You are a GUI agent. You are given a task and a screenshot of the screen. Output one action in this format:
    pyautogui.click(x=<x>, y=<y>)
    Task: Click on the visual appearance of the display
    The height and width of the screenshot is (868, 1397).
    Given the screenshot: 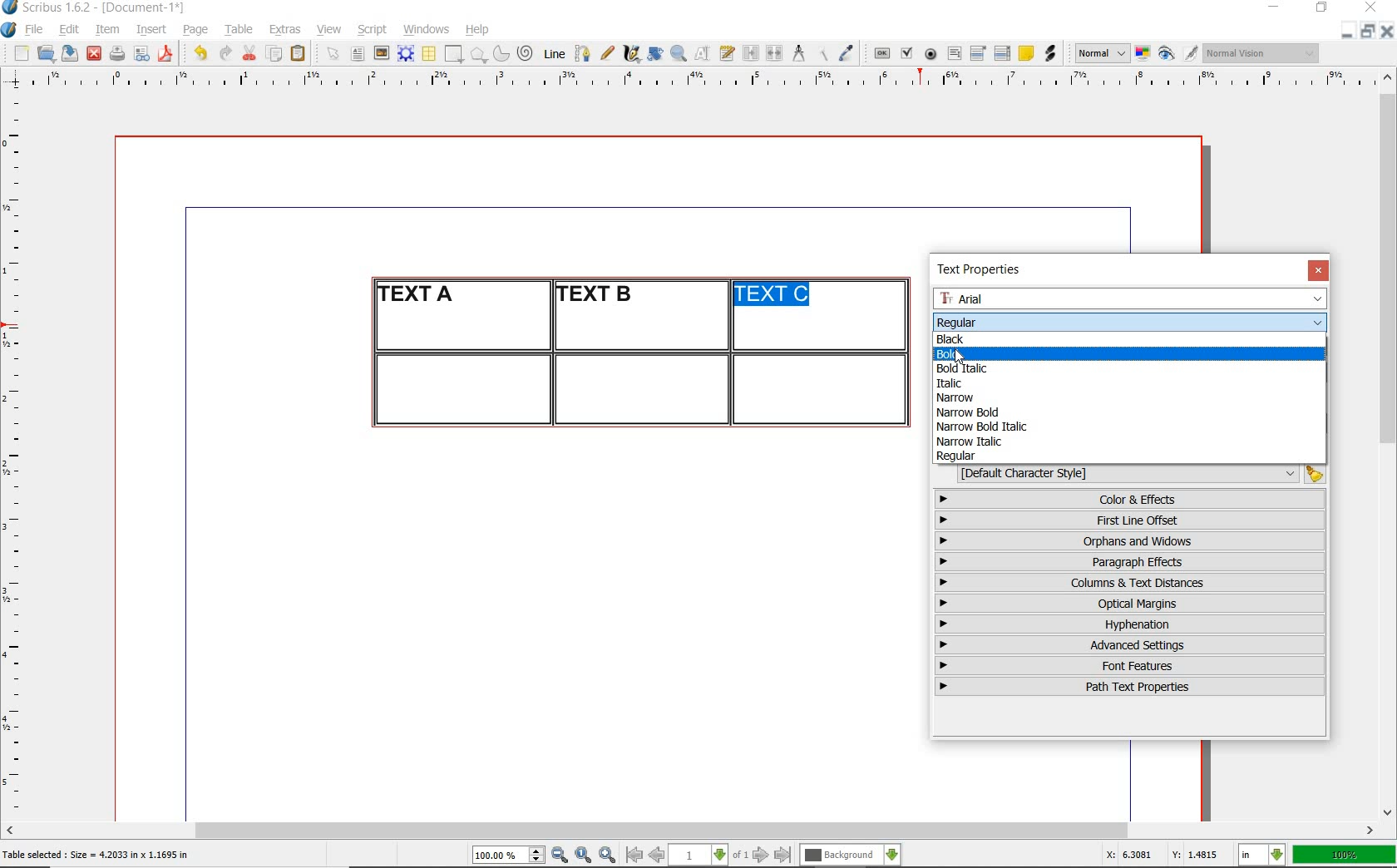 What is the action you would take?
    pyautogui.click(x=1262, y=53)
    